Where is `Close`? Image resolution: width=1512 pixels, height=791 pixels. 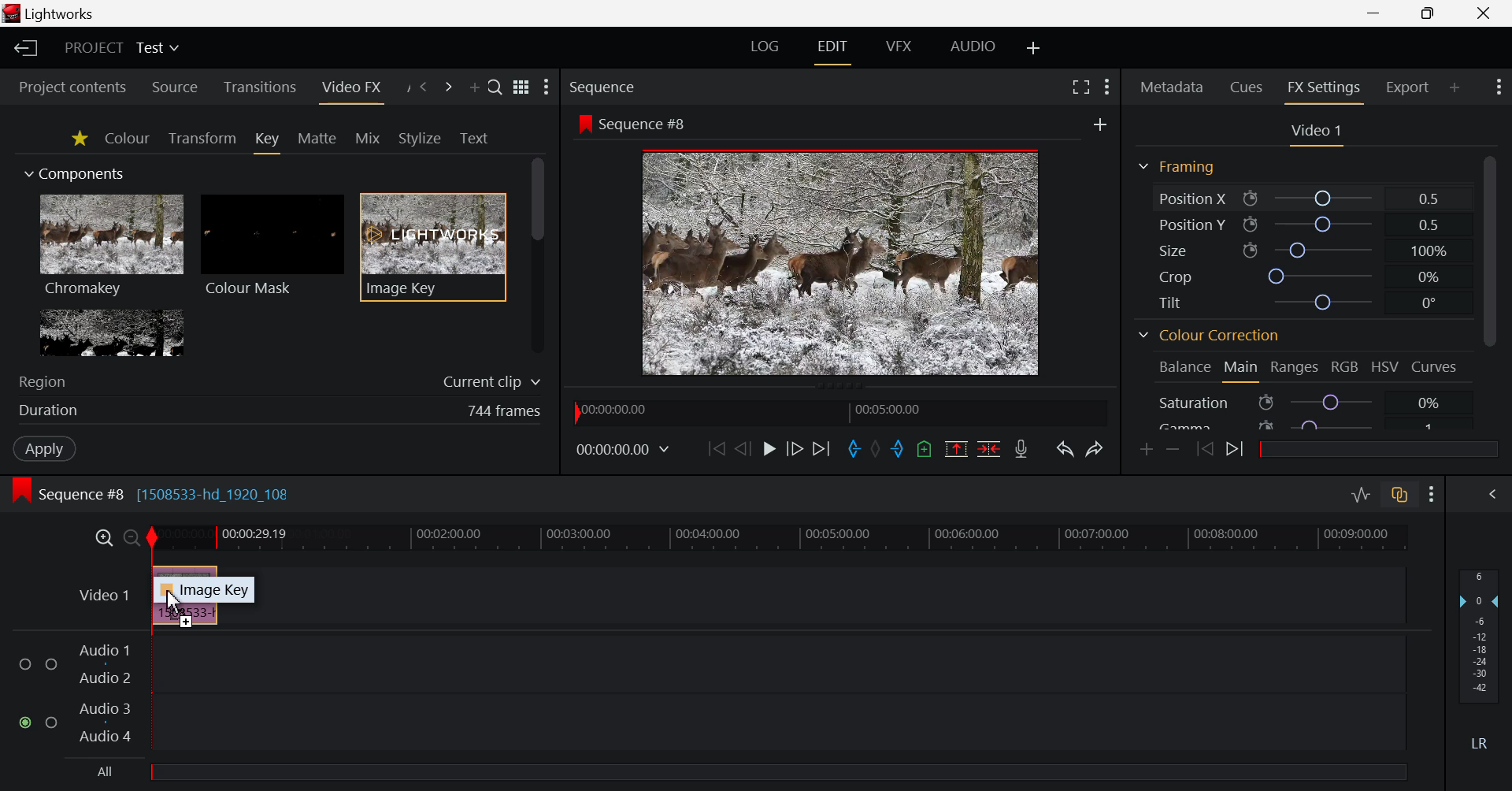
Close is located at coordinates (1484, 13).